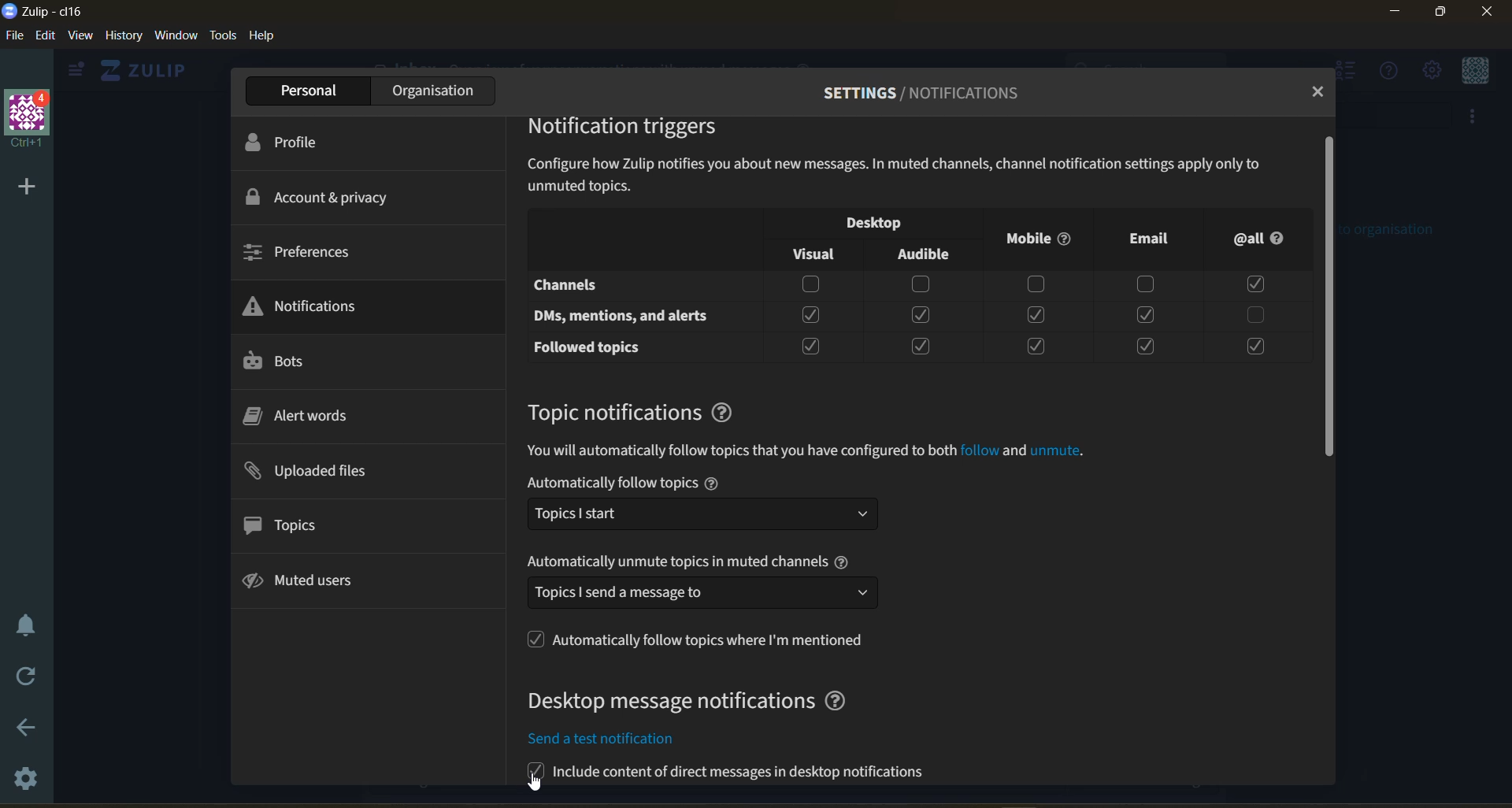 The image size is (1512, 808). Describe the element at coordinates (908, 174) in the screenshot. I see `information` at that location.